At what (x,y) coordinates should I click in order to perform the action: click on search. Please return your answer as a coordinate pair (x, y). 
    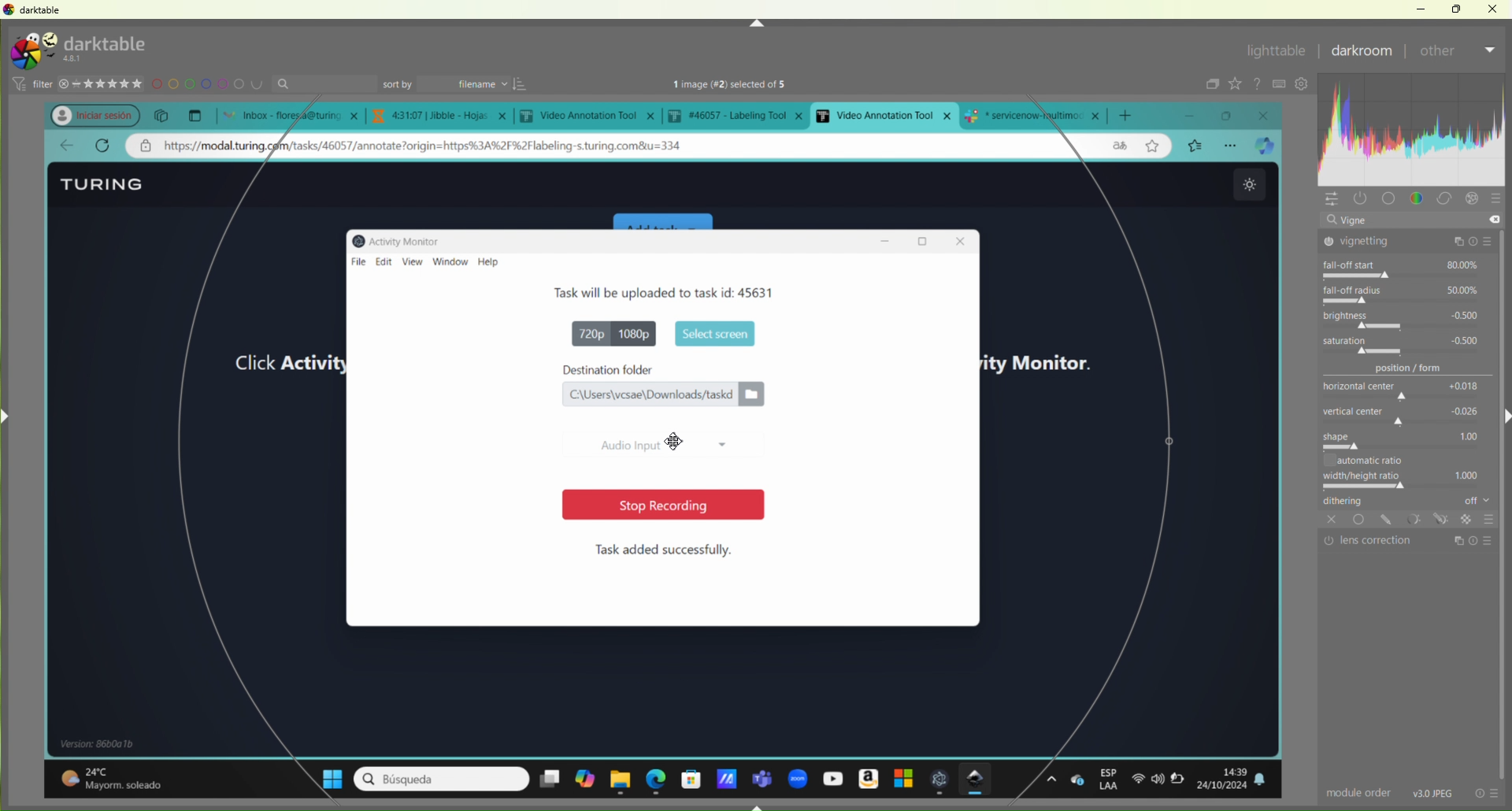
    Looking at the image, I should click on (328, 84).